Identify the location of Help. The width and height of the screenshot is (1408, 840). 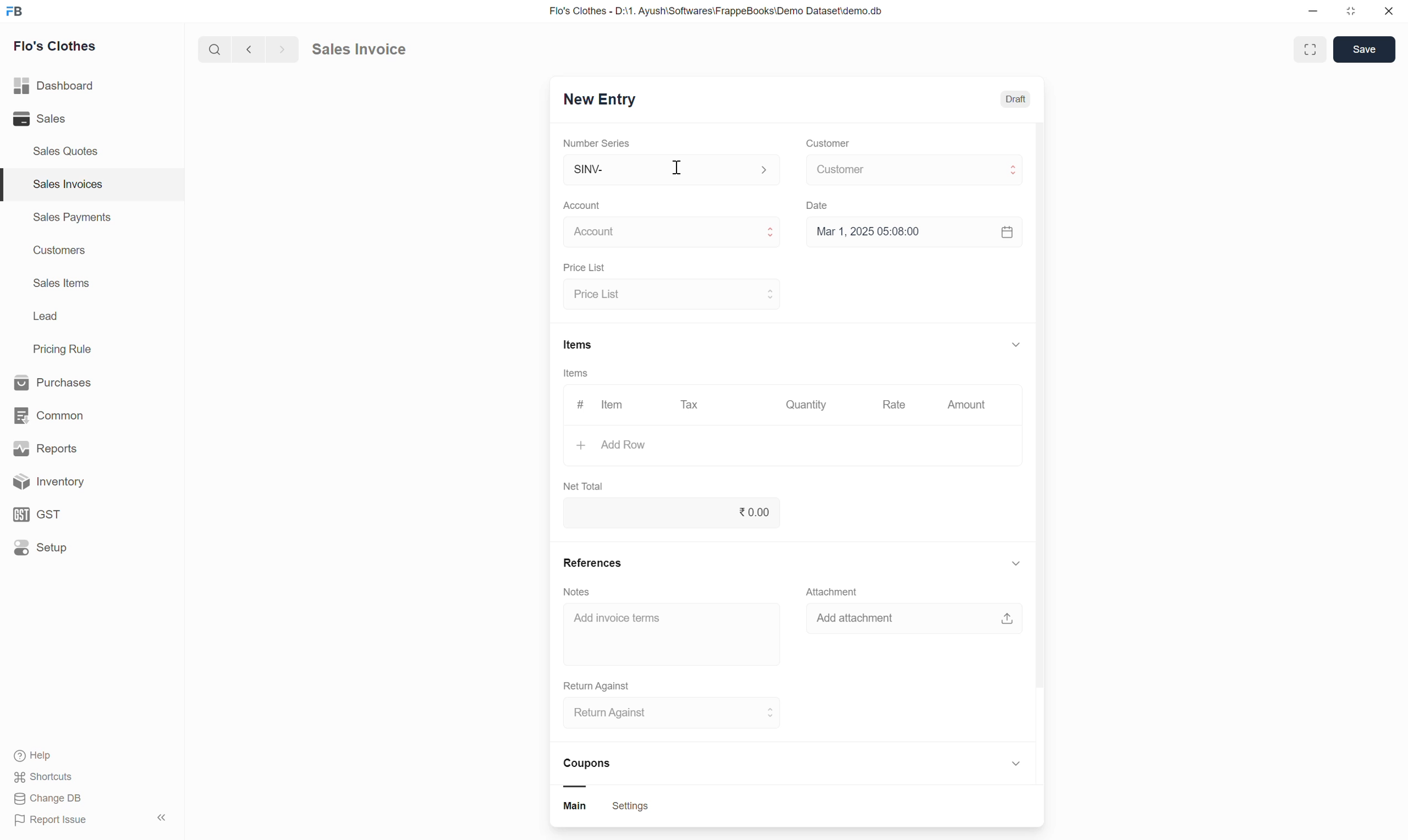
(59, 755).